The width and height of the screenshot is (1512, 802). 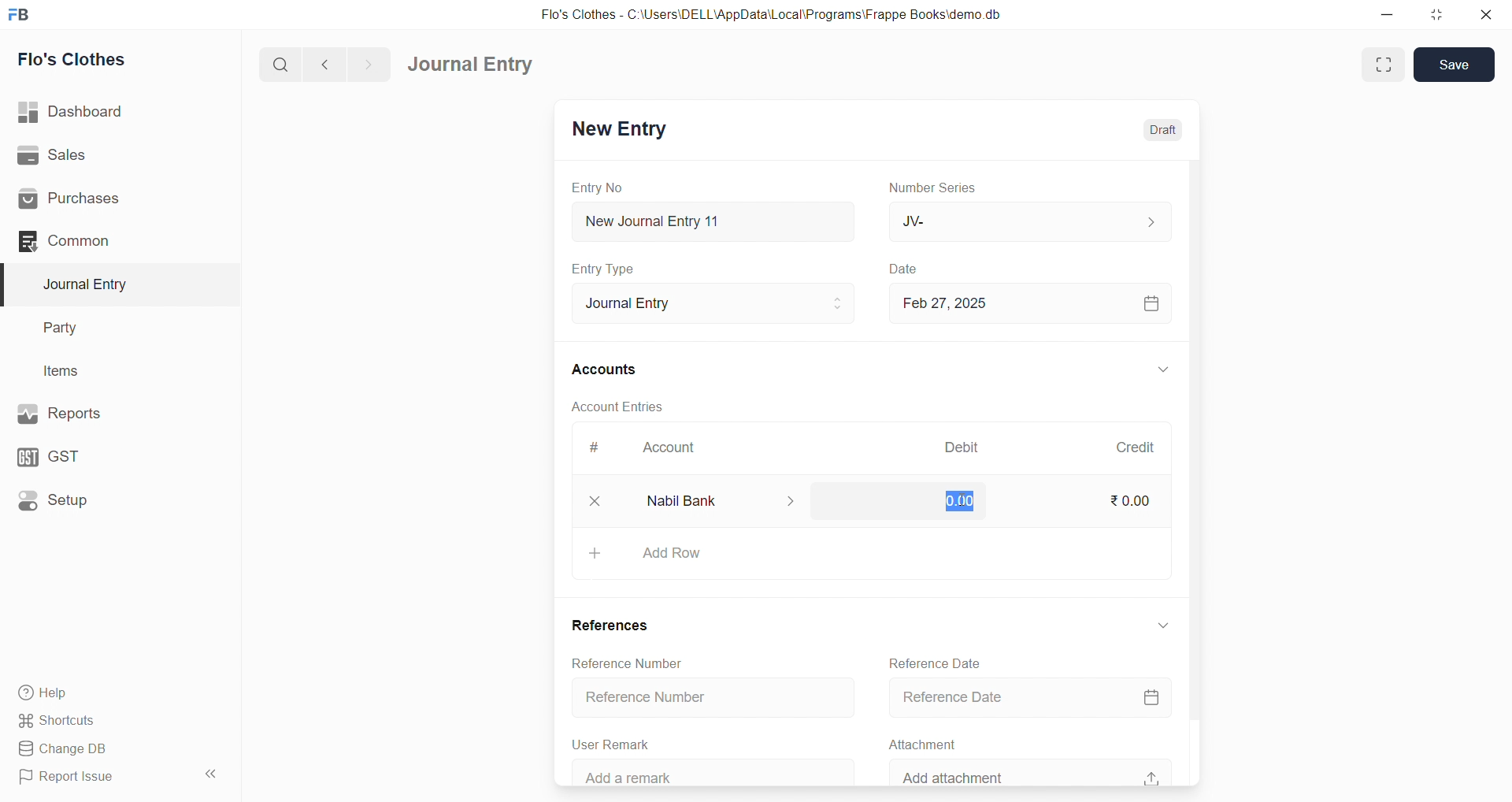 I want to click on Shortcuts, so click(x=95, y=722).